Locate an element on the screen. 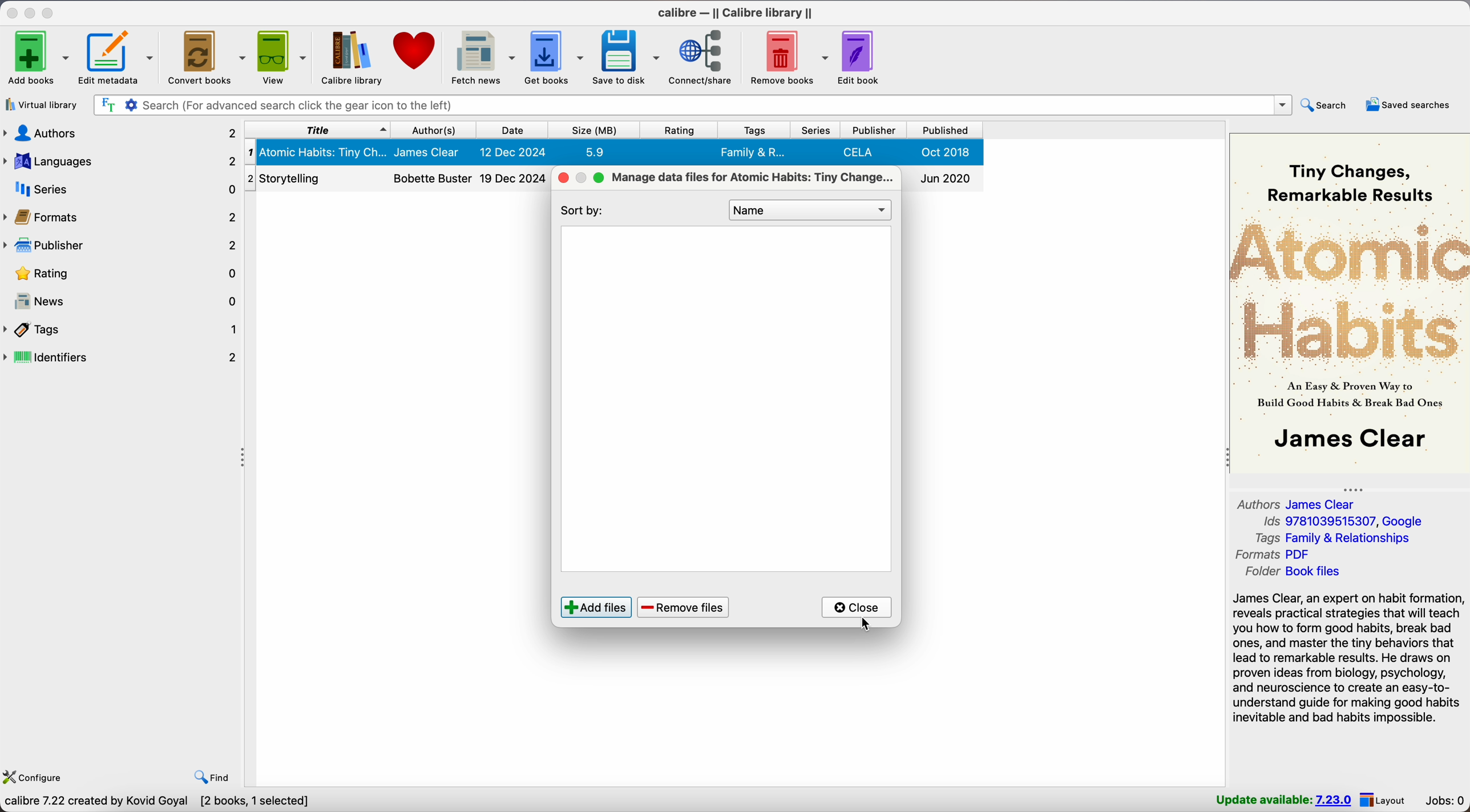  formats PDF is located at coordinates (1274, 555).